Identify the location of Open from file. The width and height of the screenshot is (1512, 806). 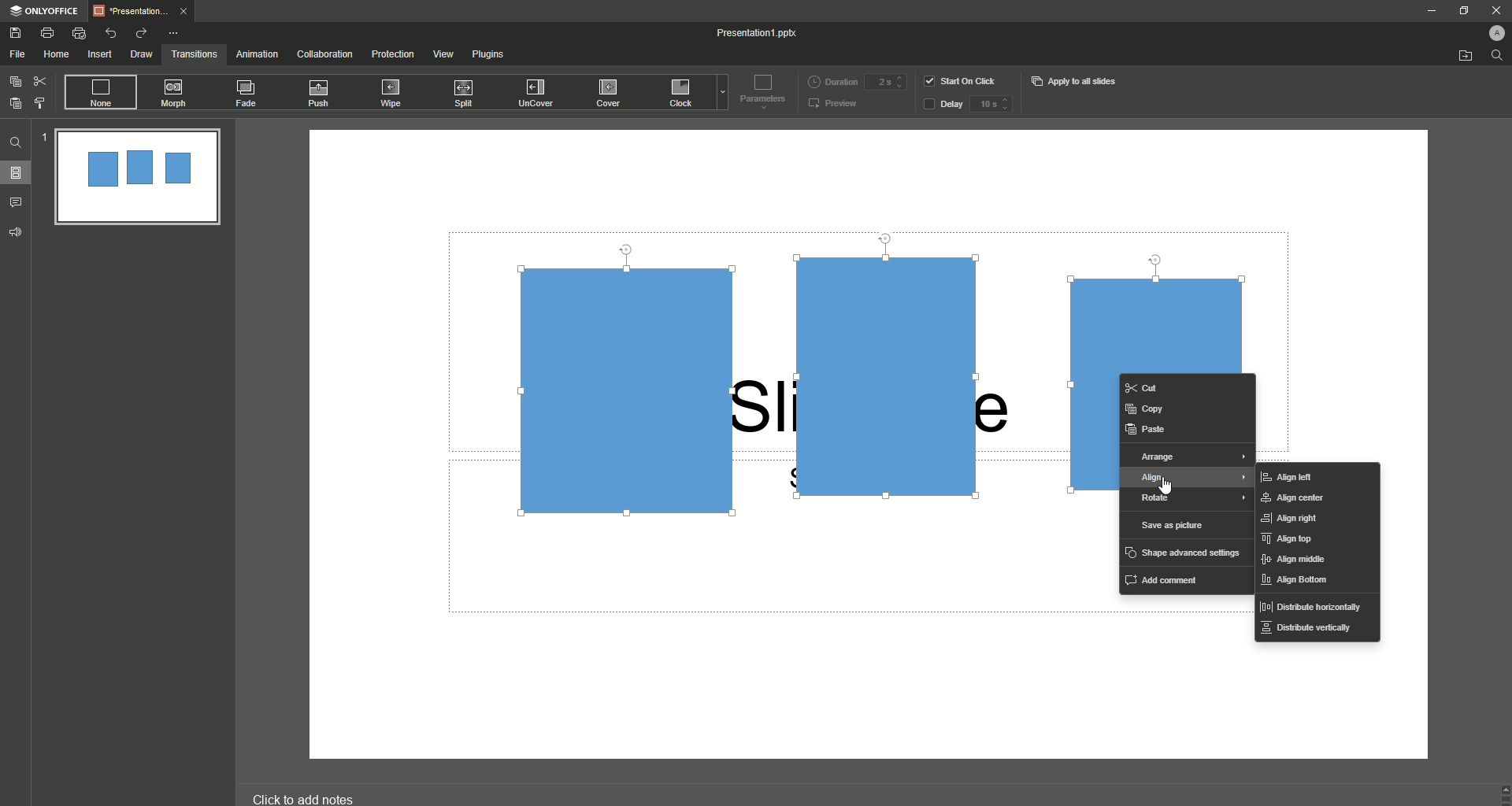
(1465, 57).